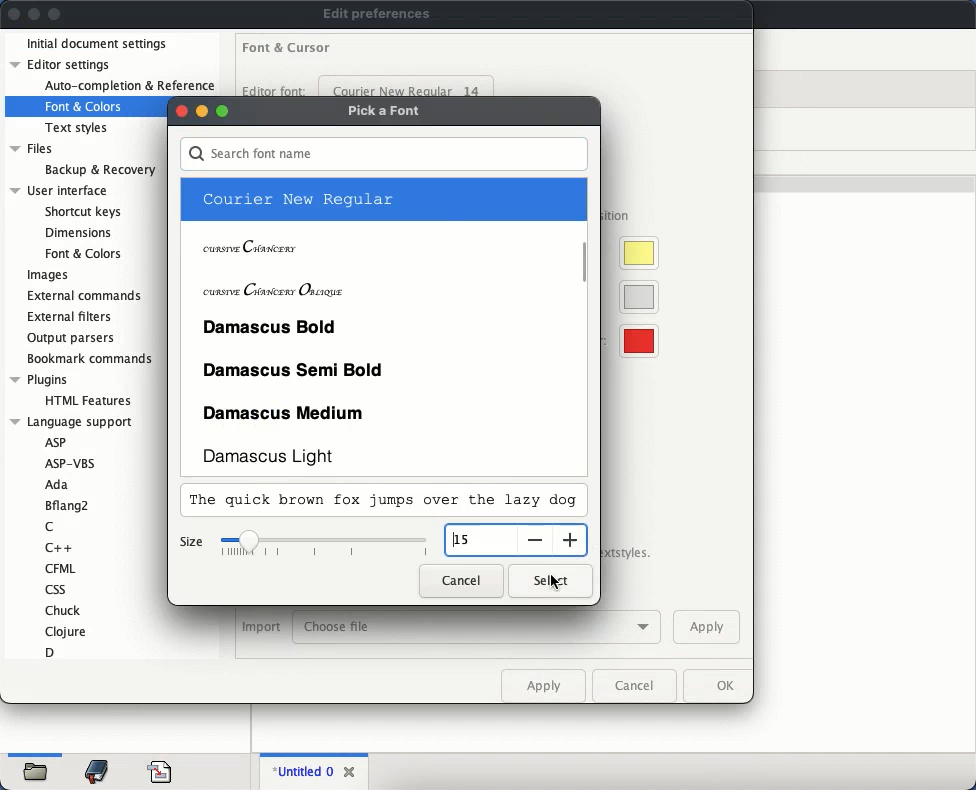 This screenshot has width=976, height=790. What do you see at coordinates (380, 243) in the screenshot?
I see `cursive chancery` at bounding box center [380, 243].